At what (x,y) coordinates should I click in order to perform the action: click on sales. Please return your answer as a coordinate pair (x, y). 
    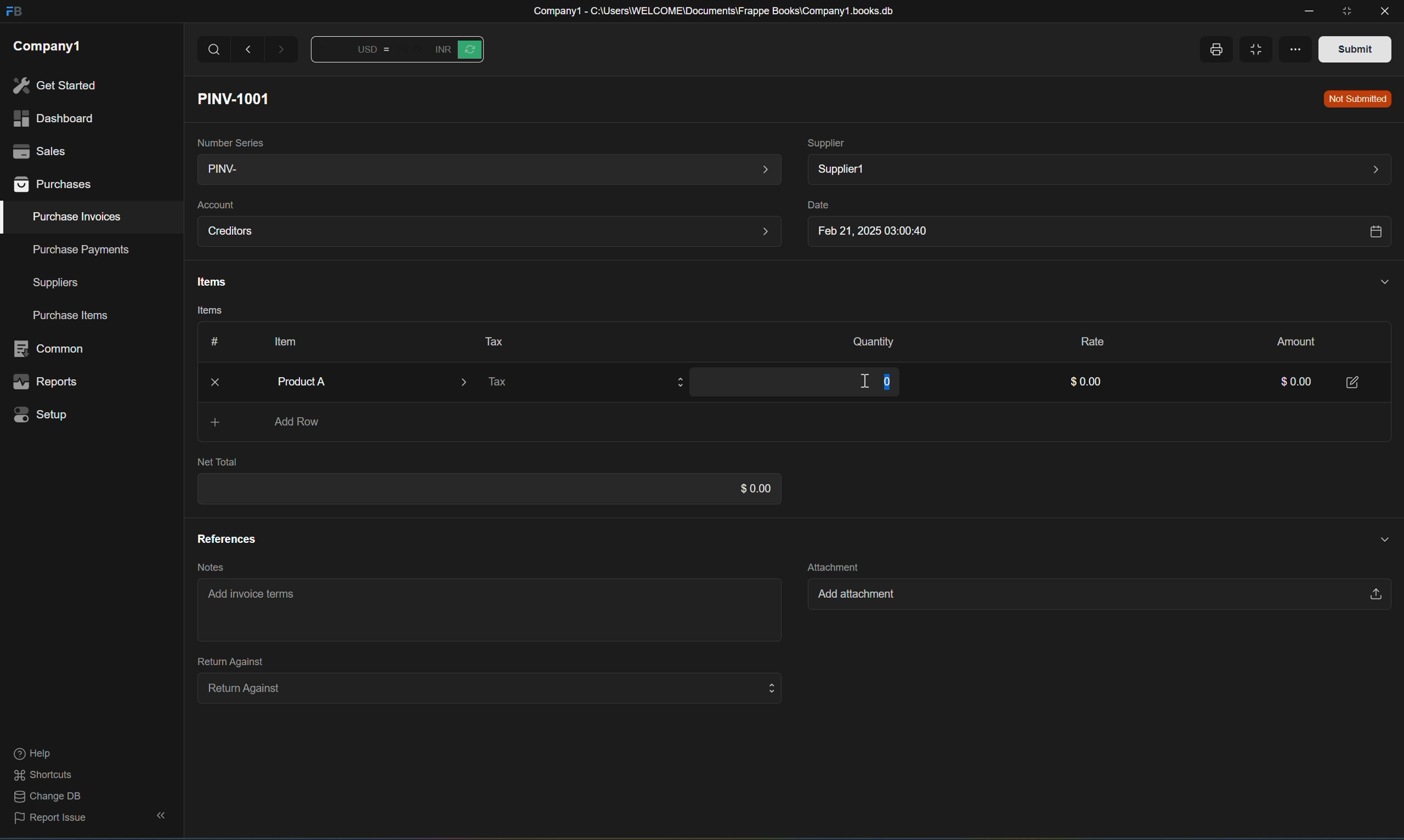
    Looking at the image, I should click on (37, 149).